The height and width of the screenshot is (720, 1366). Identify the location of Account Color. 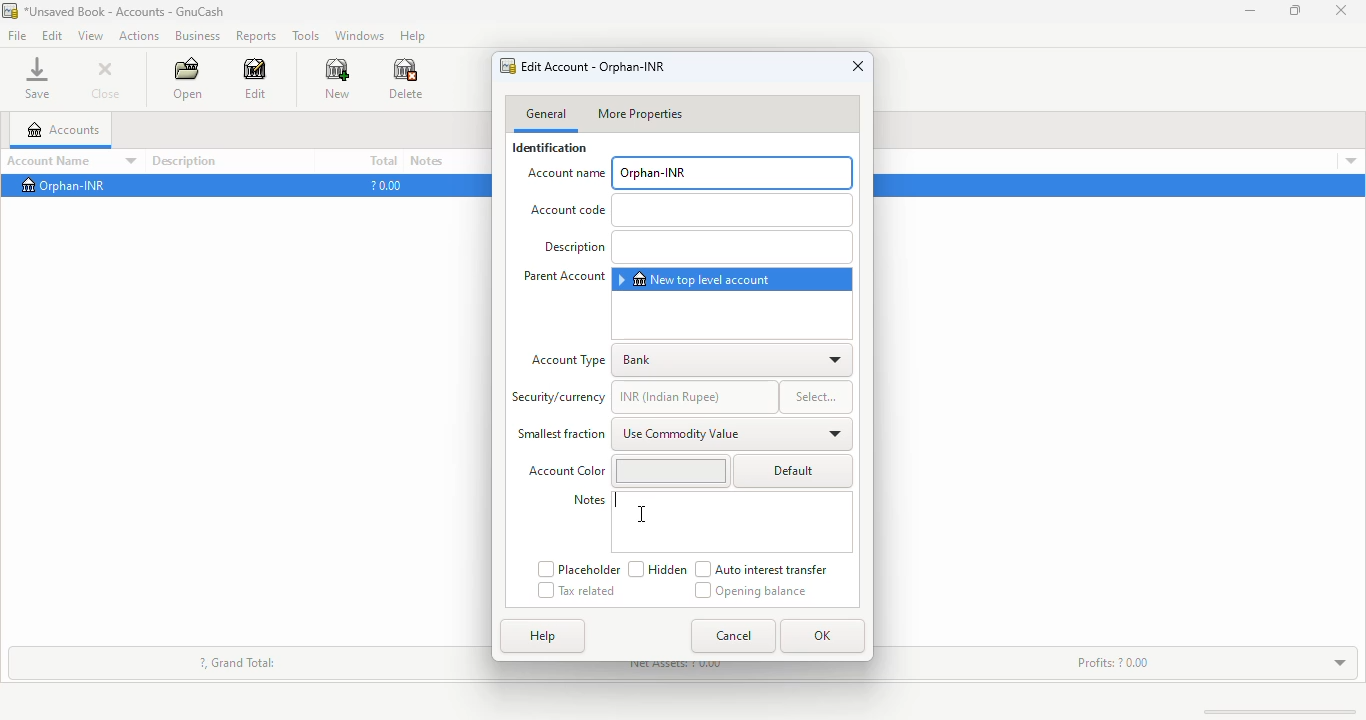
(564, 472).